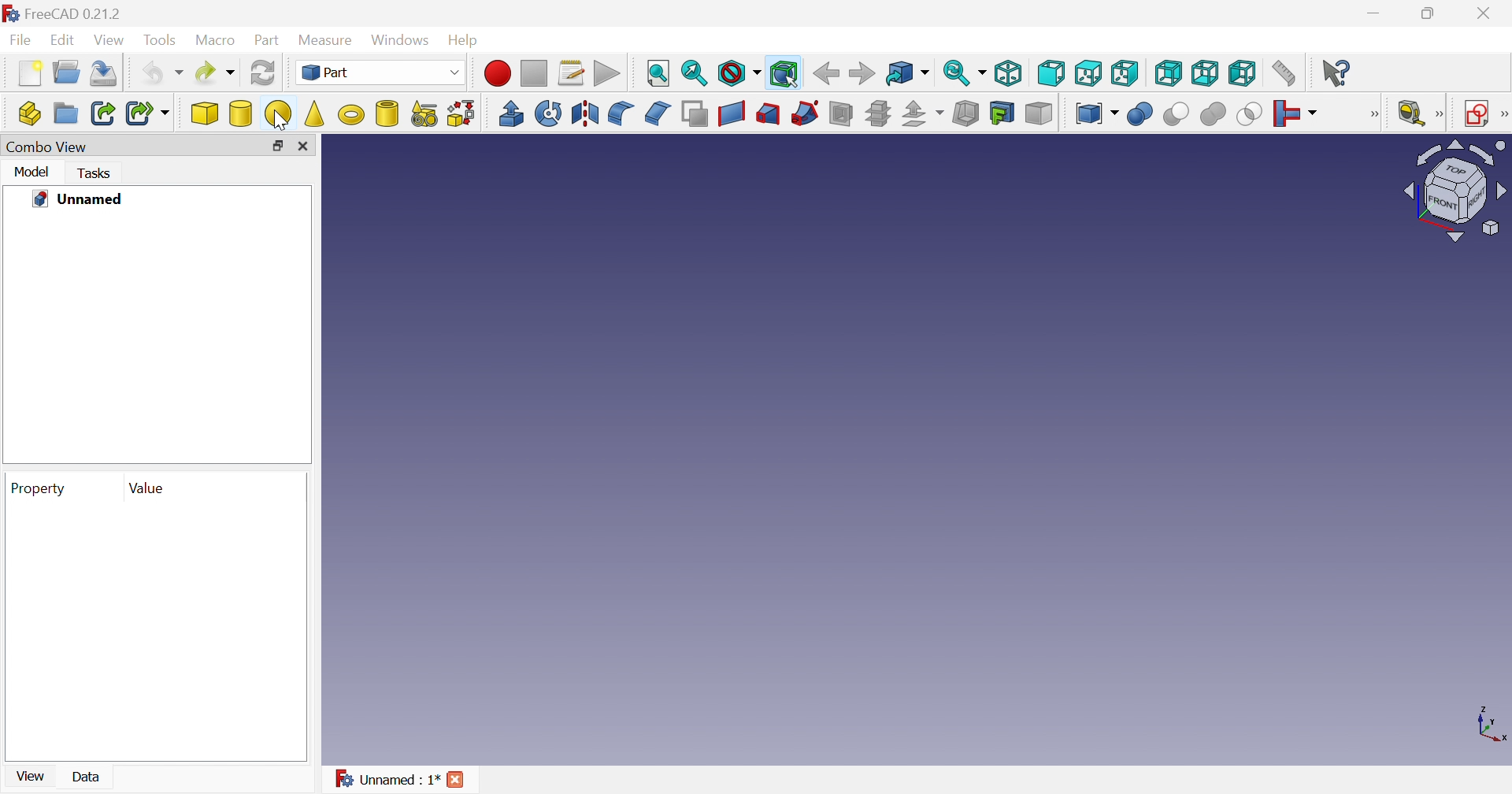 The width and height of the screenshot is (1512, 794). I want to click on Sphere, so click(278, 114).